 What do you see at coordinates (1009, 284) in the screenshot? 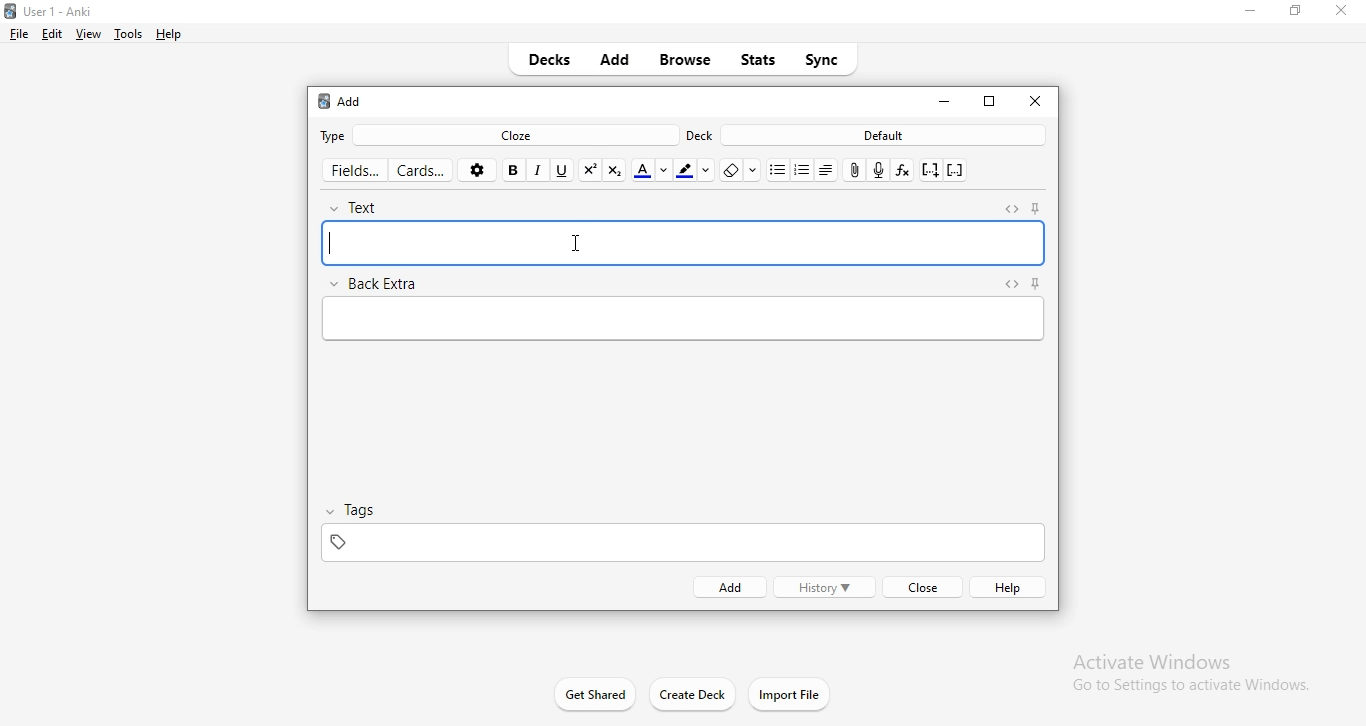
I see `expand` at bounding box center [1009, 284].